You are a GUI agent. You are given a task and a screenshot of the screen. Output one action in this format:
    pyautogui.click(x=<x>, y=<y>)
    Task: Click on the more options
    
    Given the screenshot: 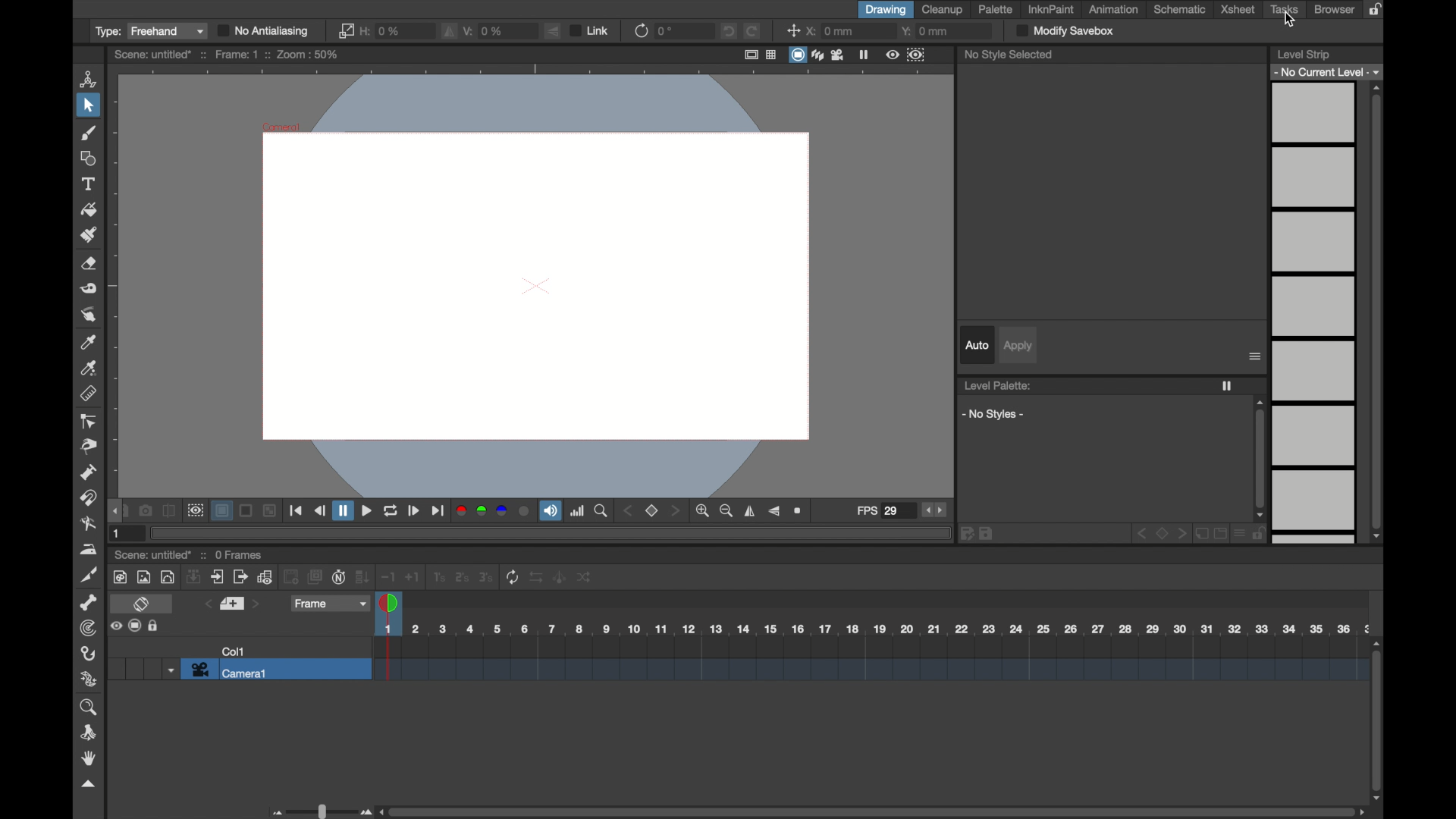 What is the action you would take?
    pyautogui.click(x=134, y=626)
    